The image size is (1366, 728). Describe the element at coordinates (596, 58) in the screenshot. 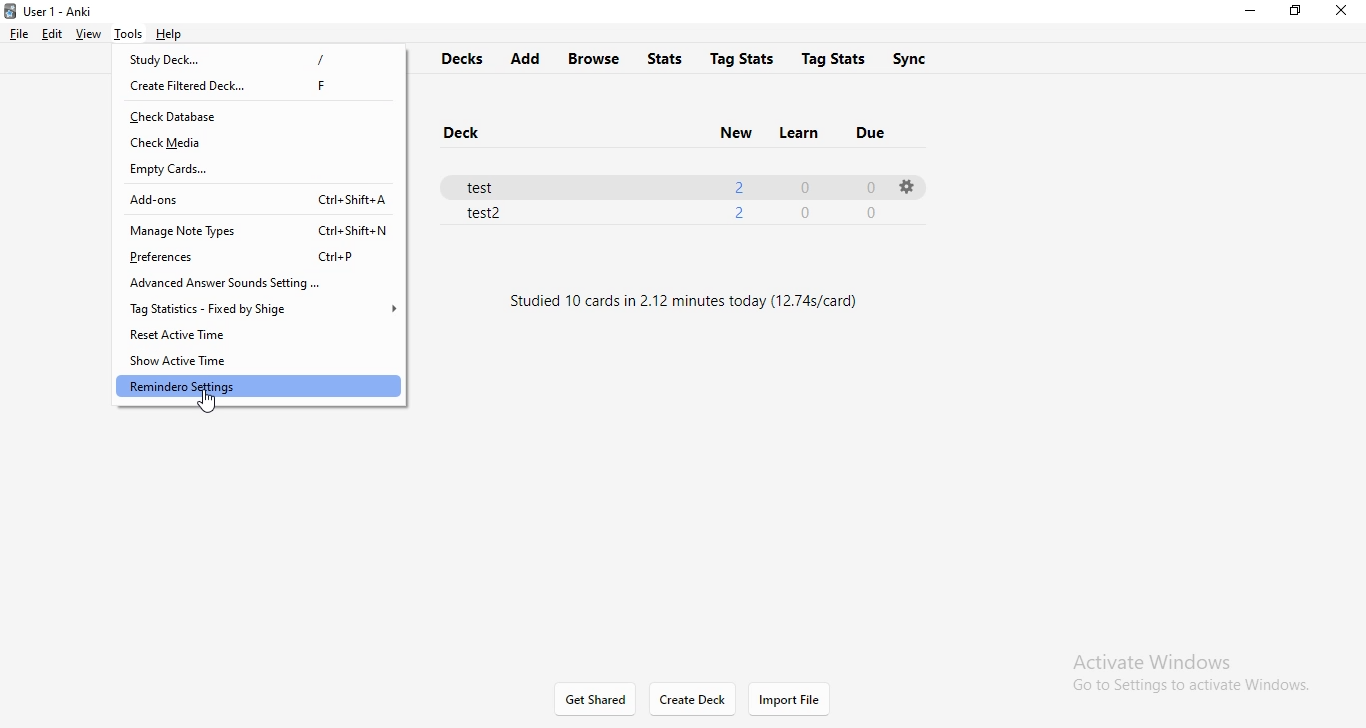

I see `browse` at that location.